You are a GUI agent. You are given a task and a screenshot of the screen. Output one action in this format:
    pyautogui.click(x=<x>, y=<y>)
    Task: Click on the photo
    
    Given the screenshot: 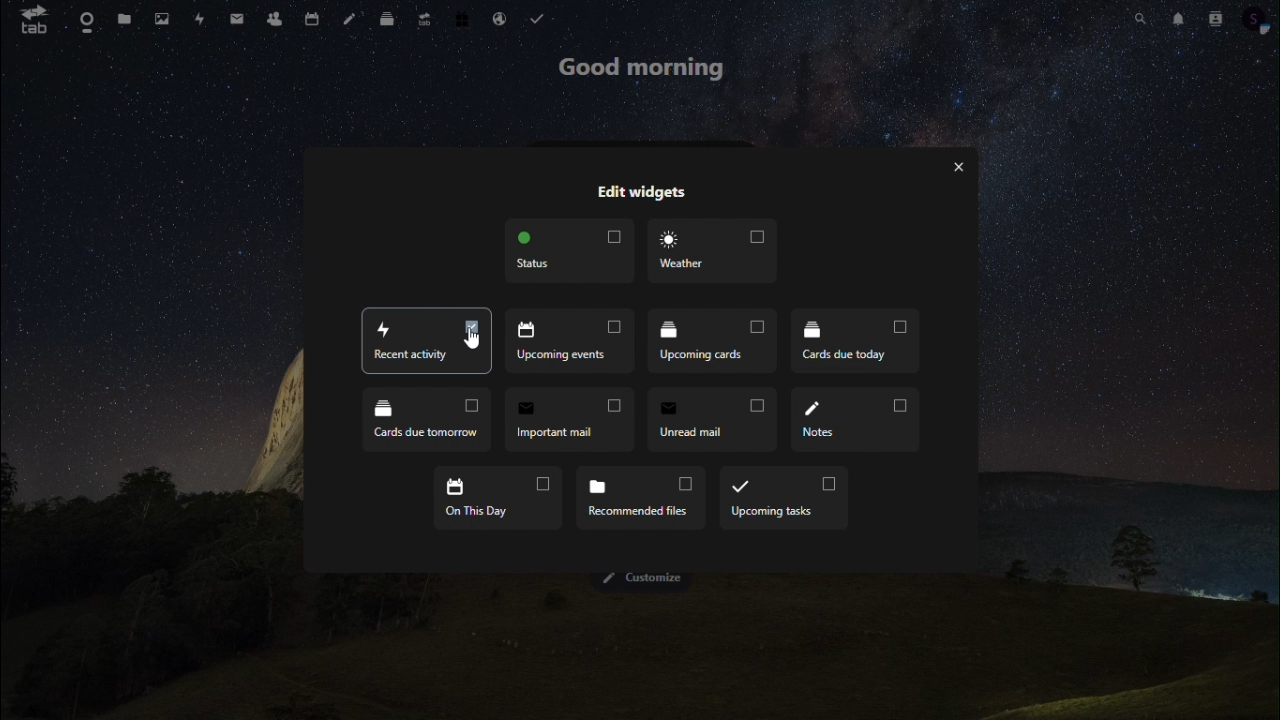 What is the action you would take?
    pyautogui.click(x=162, y=17)
    